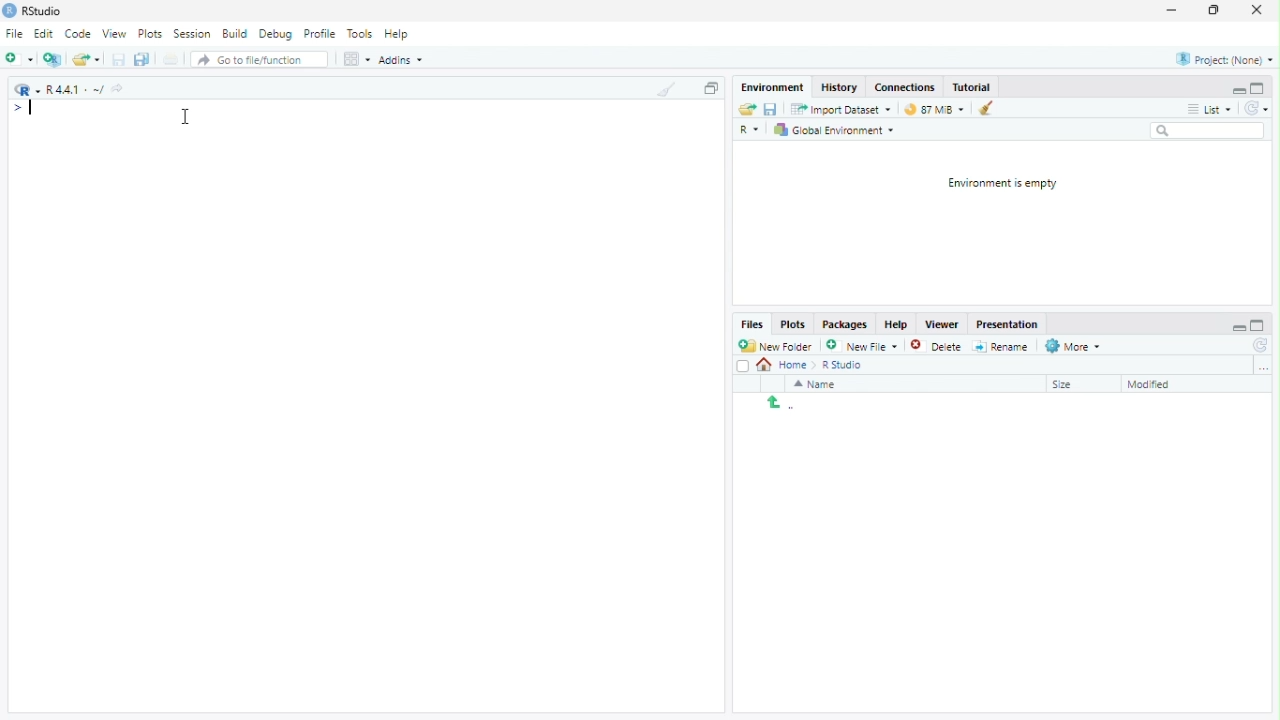  Describe the element at coordinates (53, 59) in the screenshot. I see `Create new project` at that location.